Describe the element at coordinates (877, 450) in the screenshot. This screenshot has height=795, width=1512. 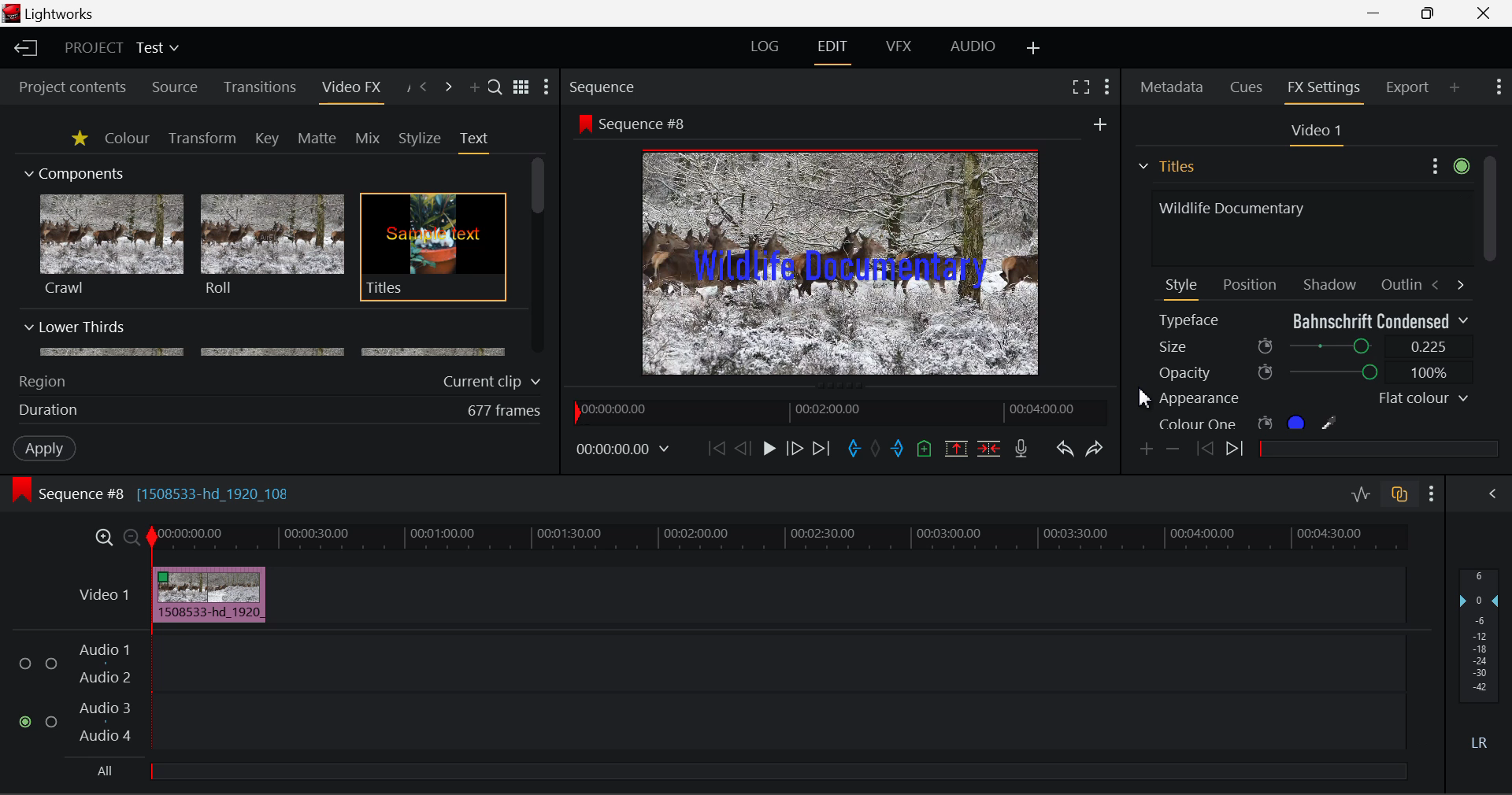
I see `Remove all marks` at that location.